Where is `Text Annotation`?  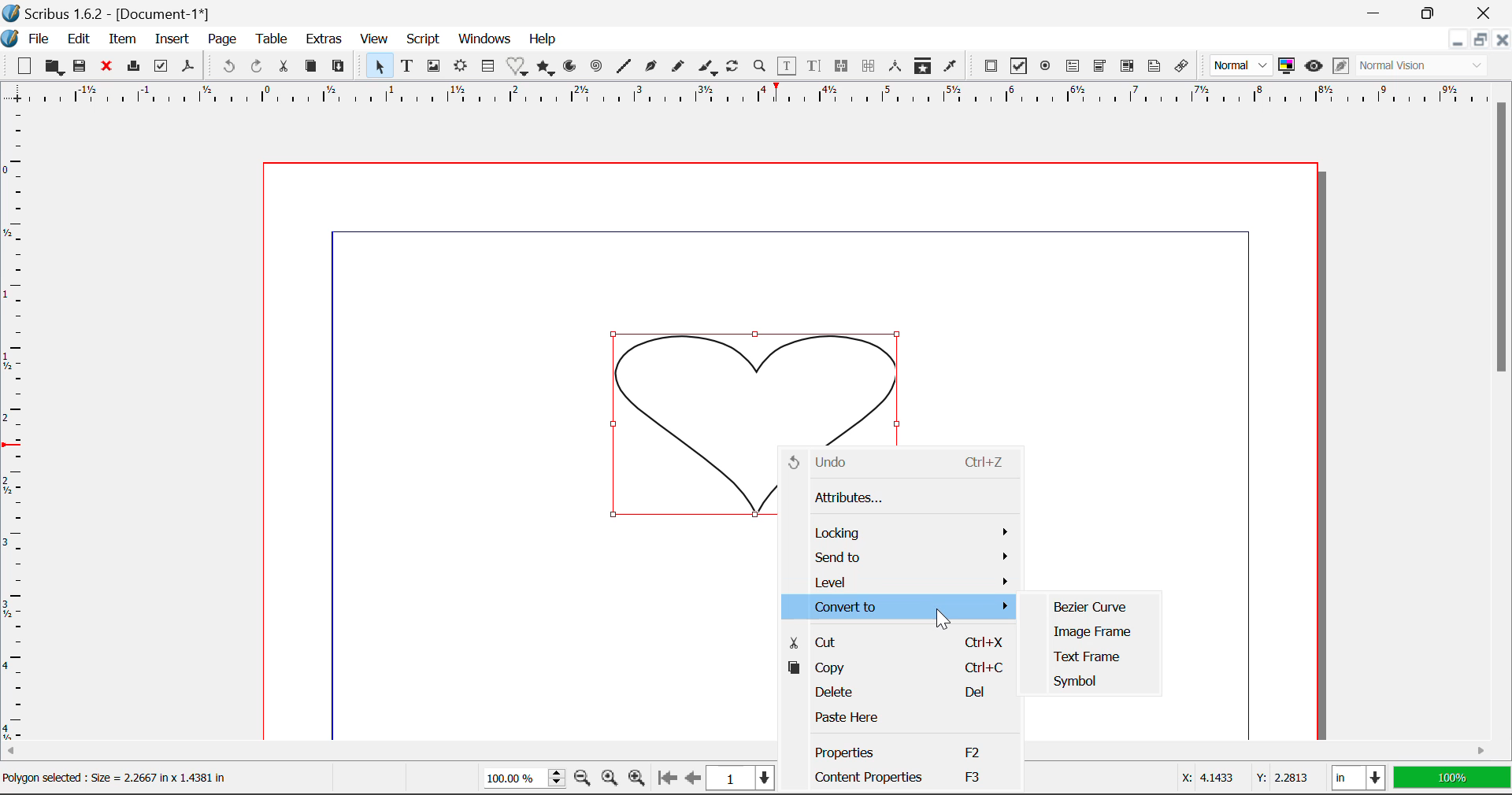 Text Annotation is located at coordinates (1153, 67).